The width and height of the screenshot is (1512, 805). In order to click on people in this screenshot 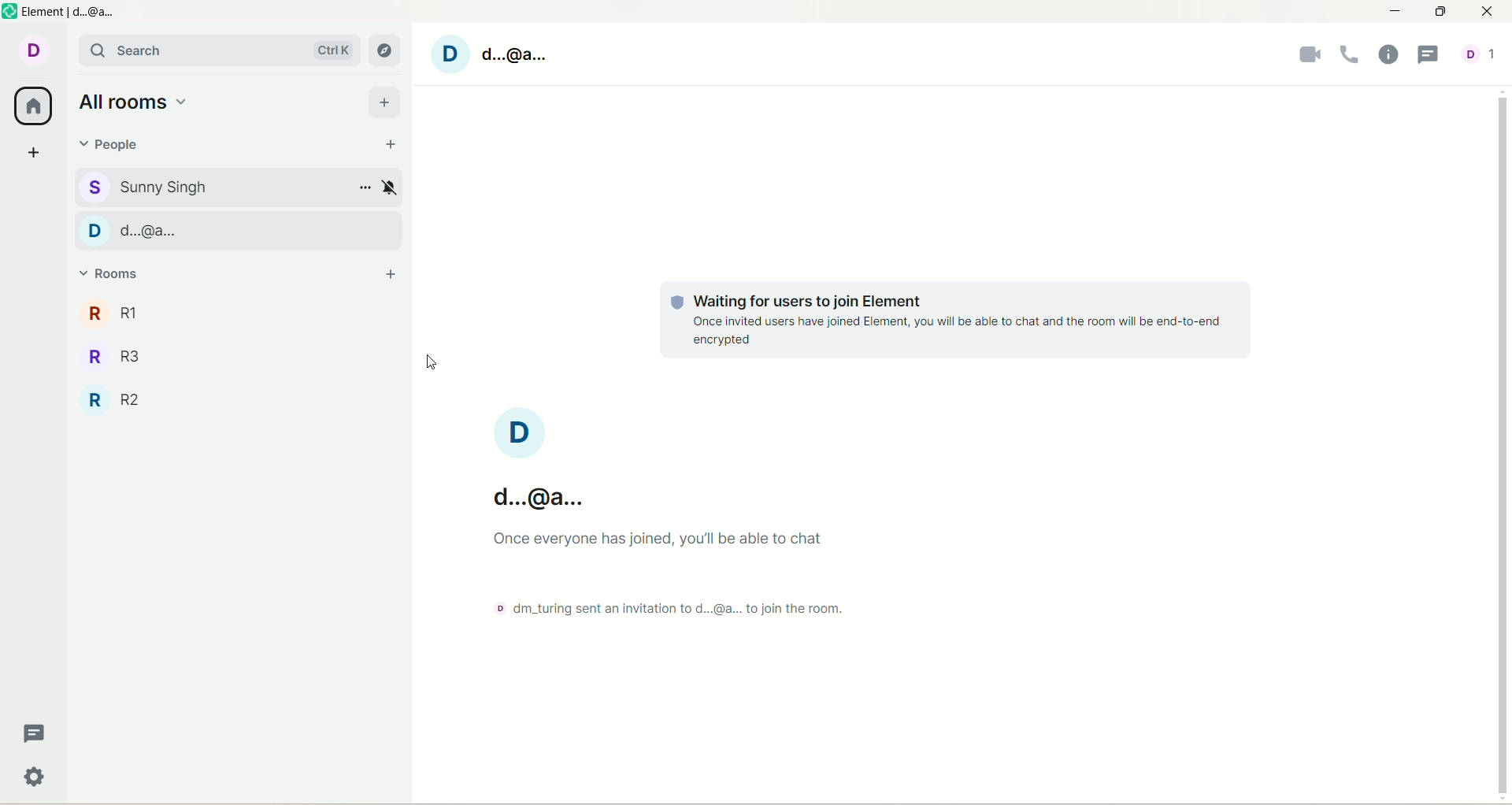, I will do `click(114, 143)`.